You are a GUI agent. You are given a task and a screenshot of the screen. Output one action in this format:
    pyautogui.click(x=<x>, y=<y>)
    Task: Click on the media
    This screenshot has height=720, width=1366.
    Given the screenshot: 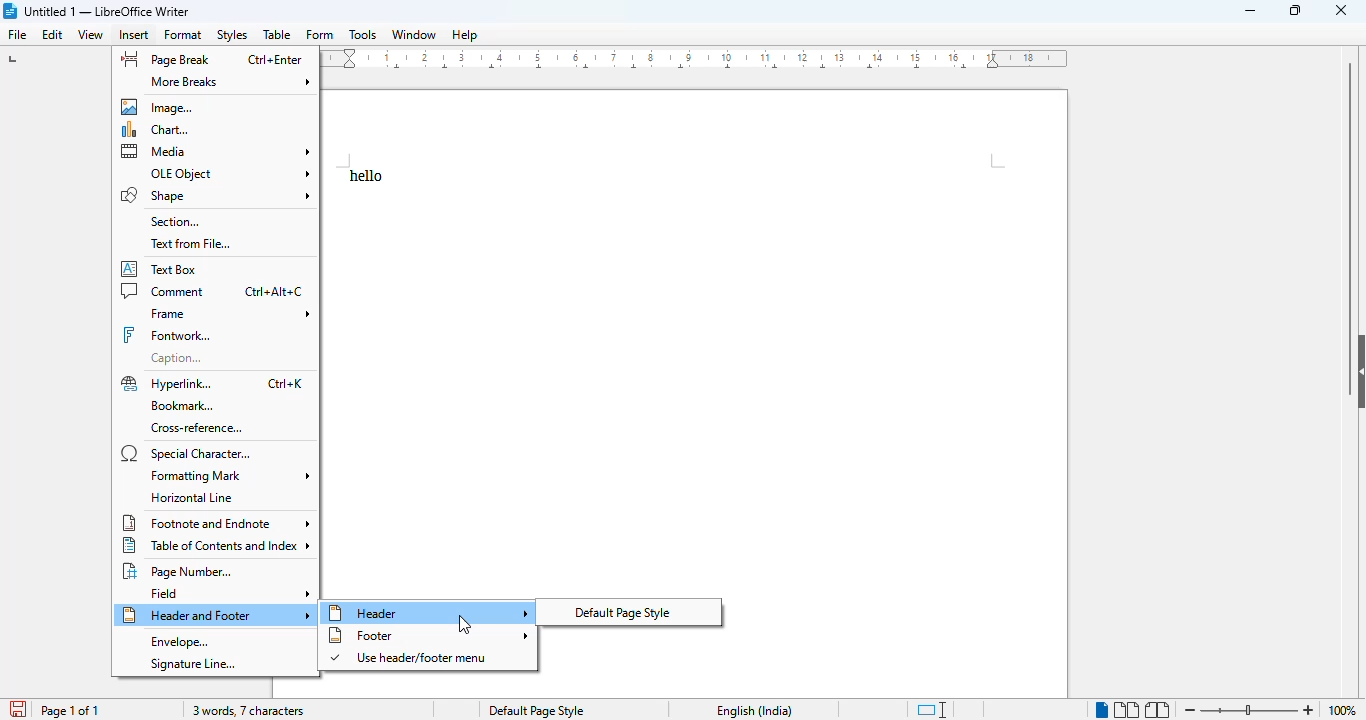 What is the action you would take?
    pyautogui.click(x=217, y=151)
    